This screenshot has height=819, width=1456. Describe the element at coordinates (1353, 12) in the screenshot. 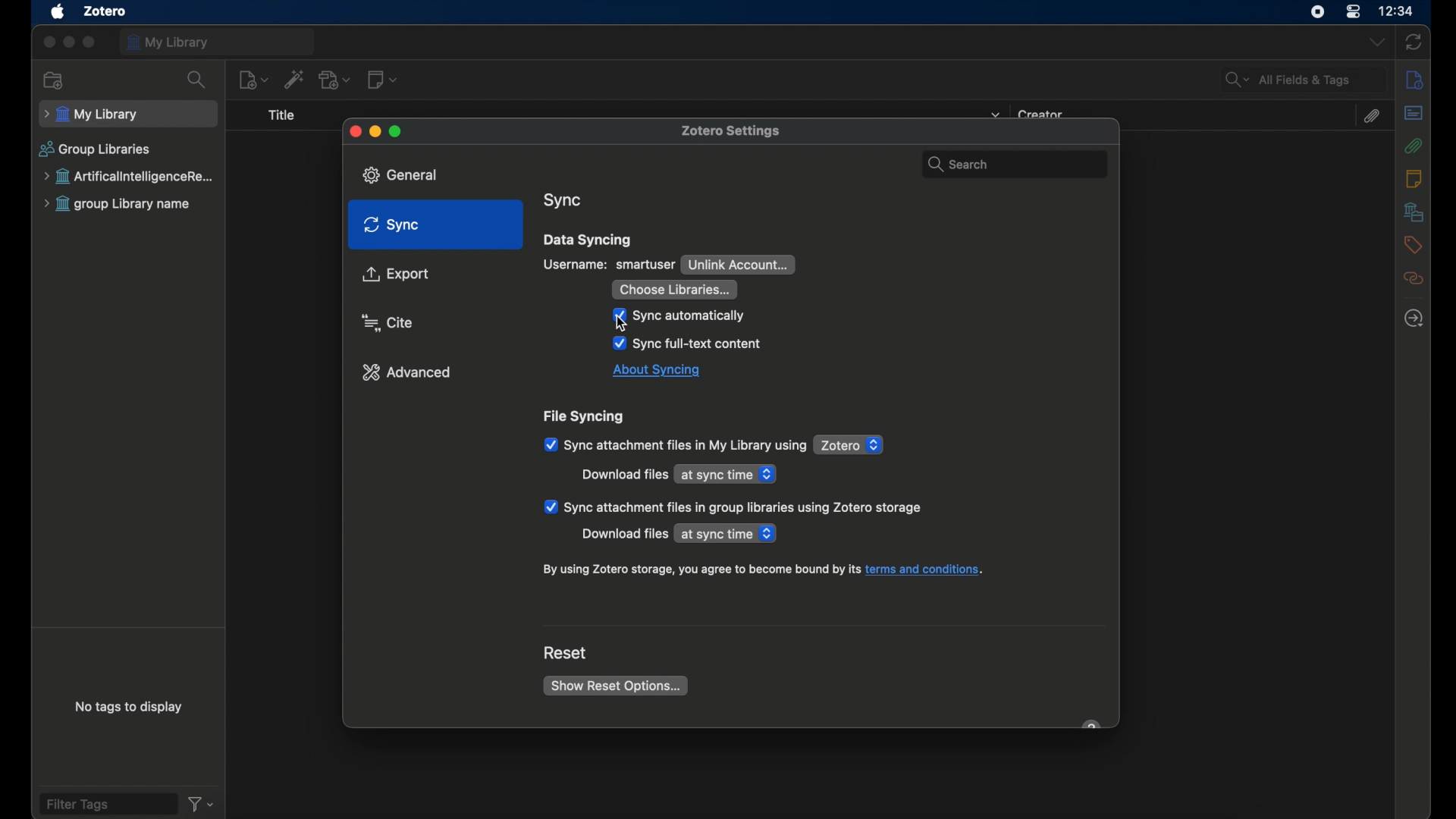

I see `control center` at that location.